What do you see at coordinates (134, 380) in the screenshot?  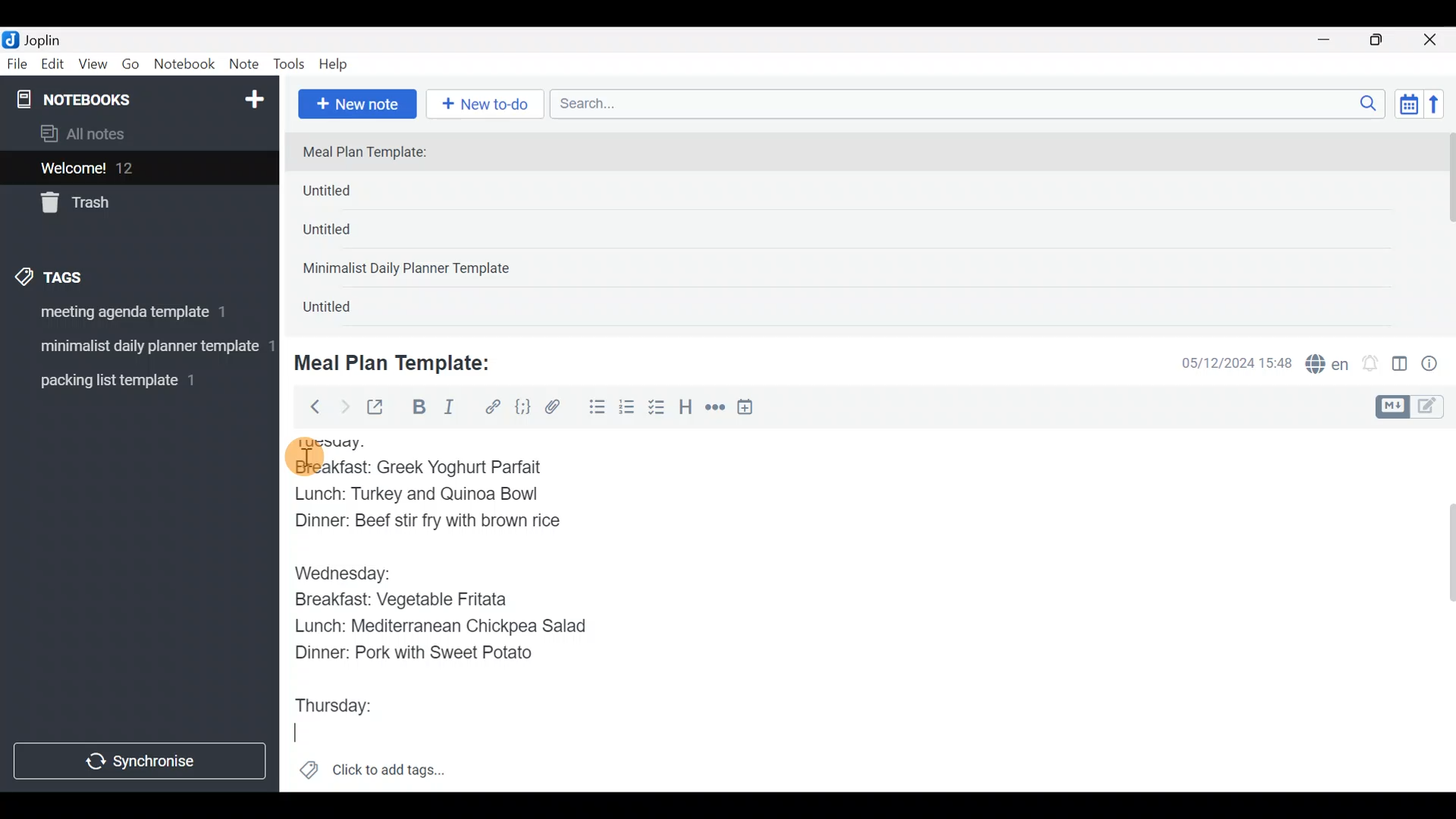 I see `Tag 3` at bounding box center [134, 380].